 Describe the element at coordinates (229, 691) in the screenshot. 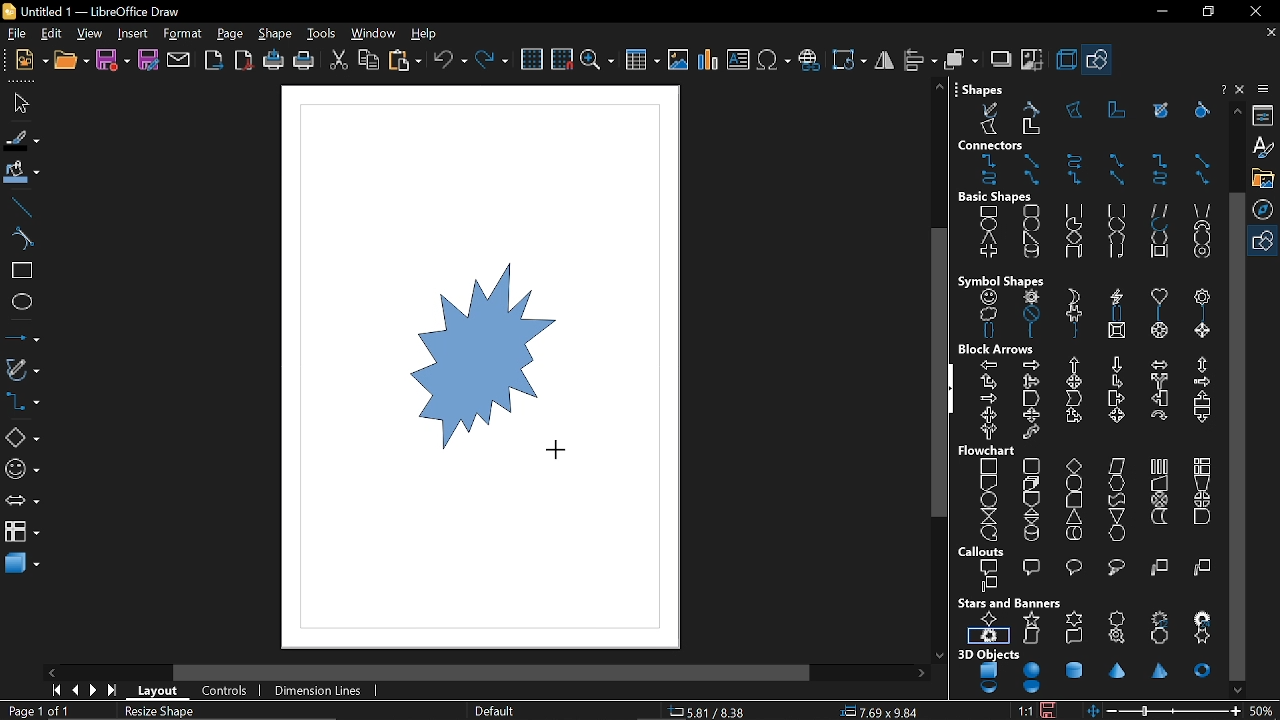

I see `controls` at that location.